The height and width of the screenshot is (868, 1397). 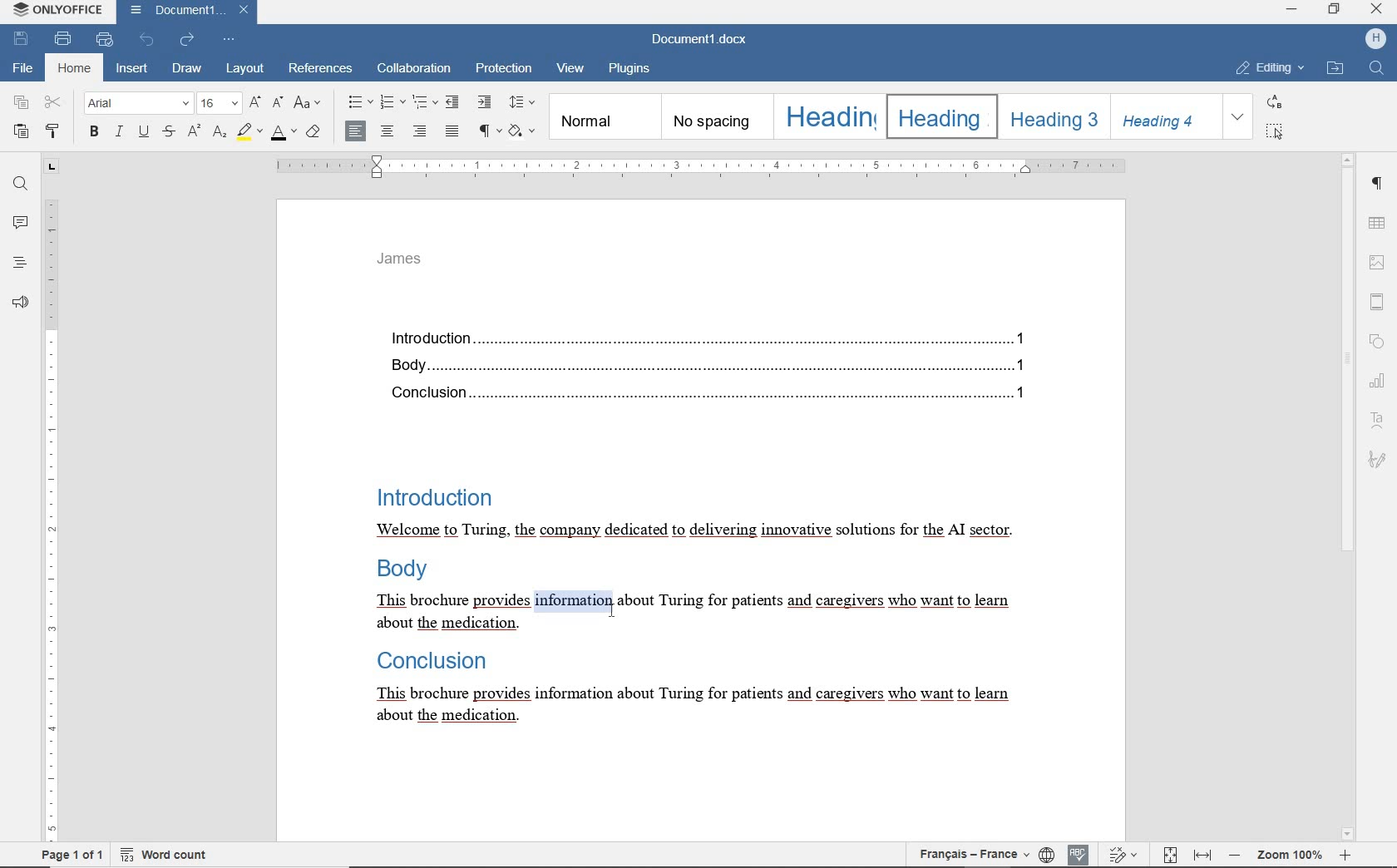 I want to click on DECREMENT FONT SIZE, so click(x=276, y=104).